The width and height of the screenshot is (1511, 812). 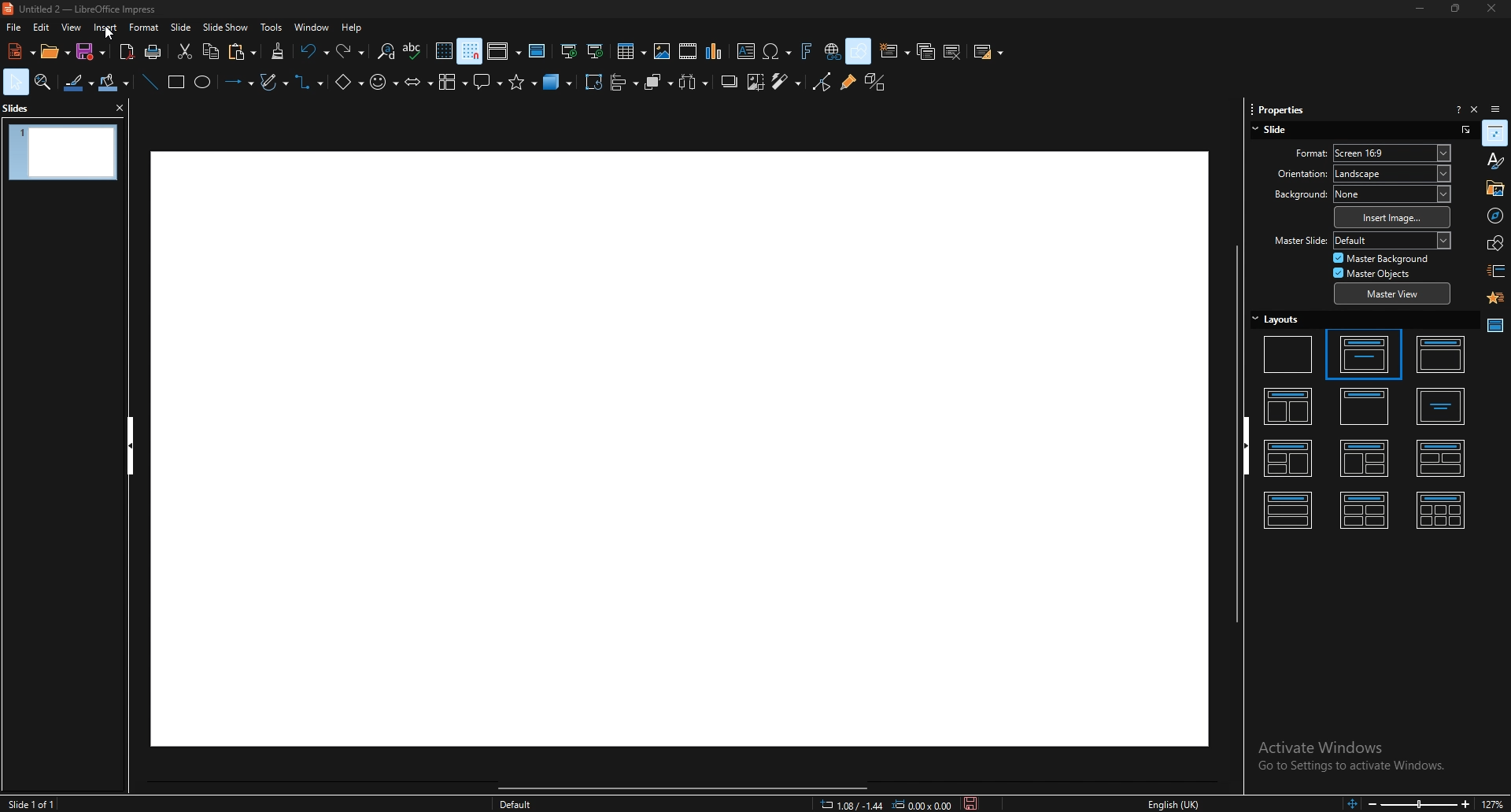 What do you see at coordinates (114, 83) in the screenshot?
I see `fill color` at bounding box center [114, 83].